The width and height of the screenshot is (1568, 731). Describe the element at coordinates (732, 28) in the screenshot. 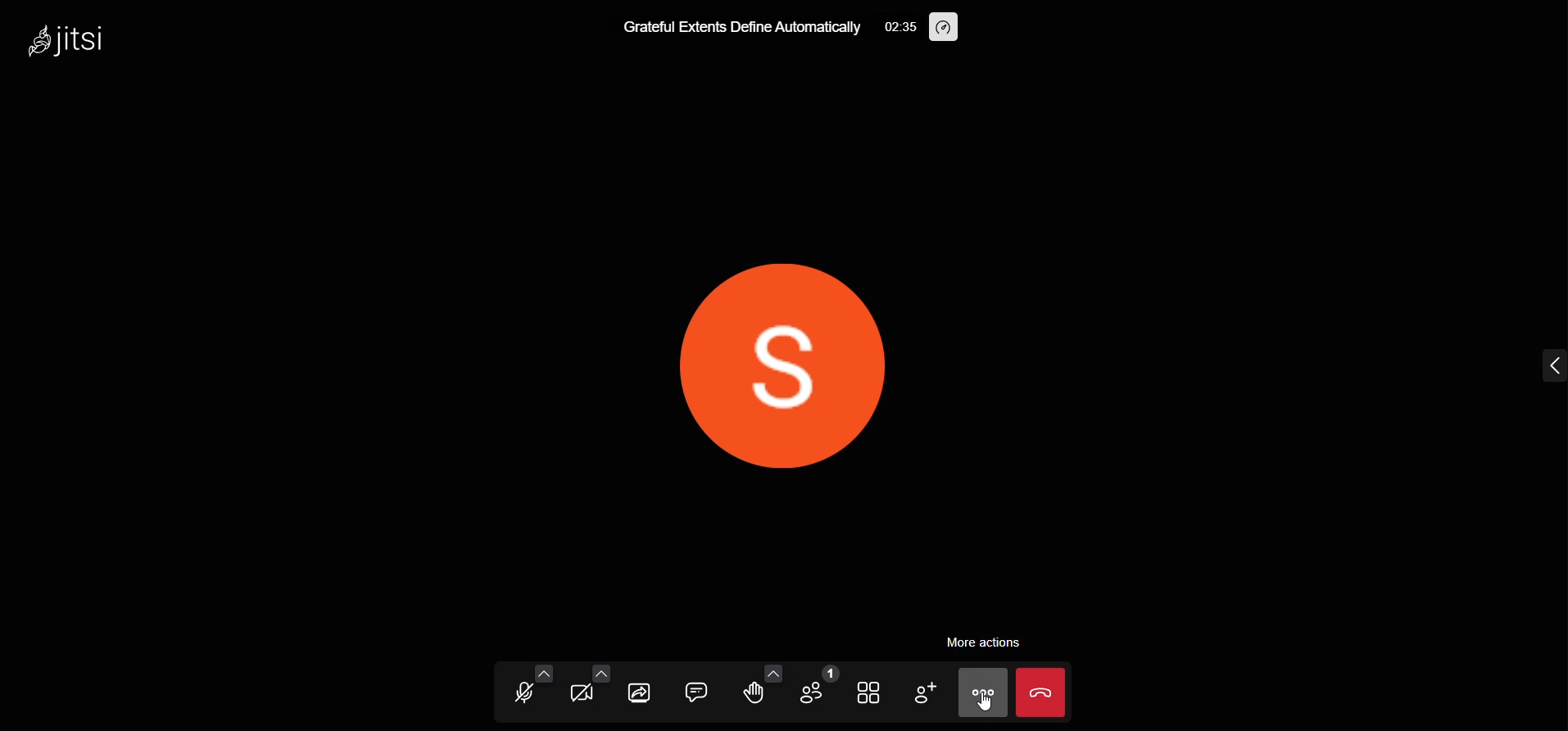

I see `meeting title` at that location.